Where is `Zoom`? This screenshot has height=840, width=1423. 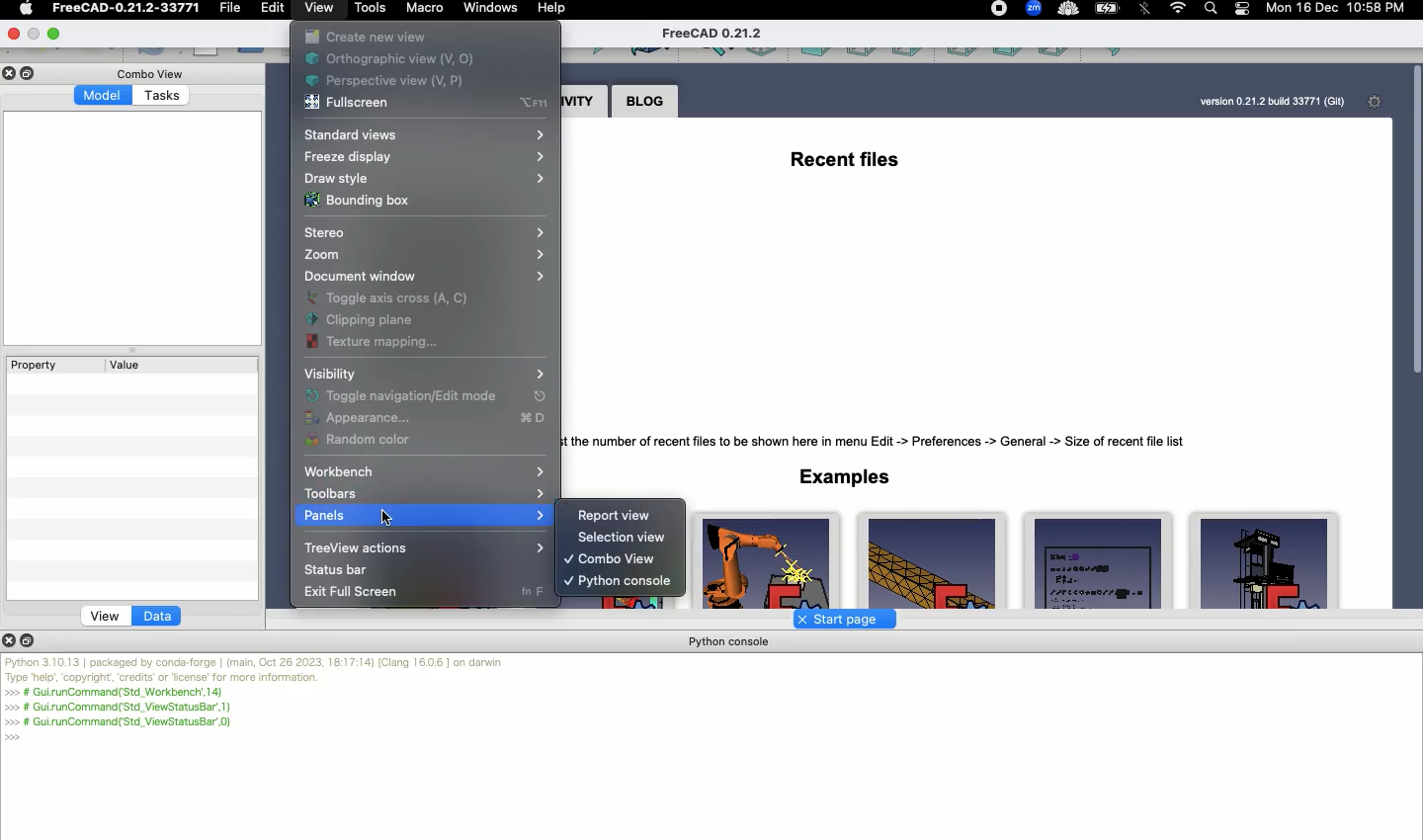
Zoom is located at coordinates (420, 256).